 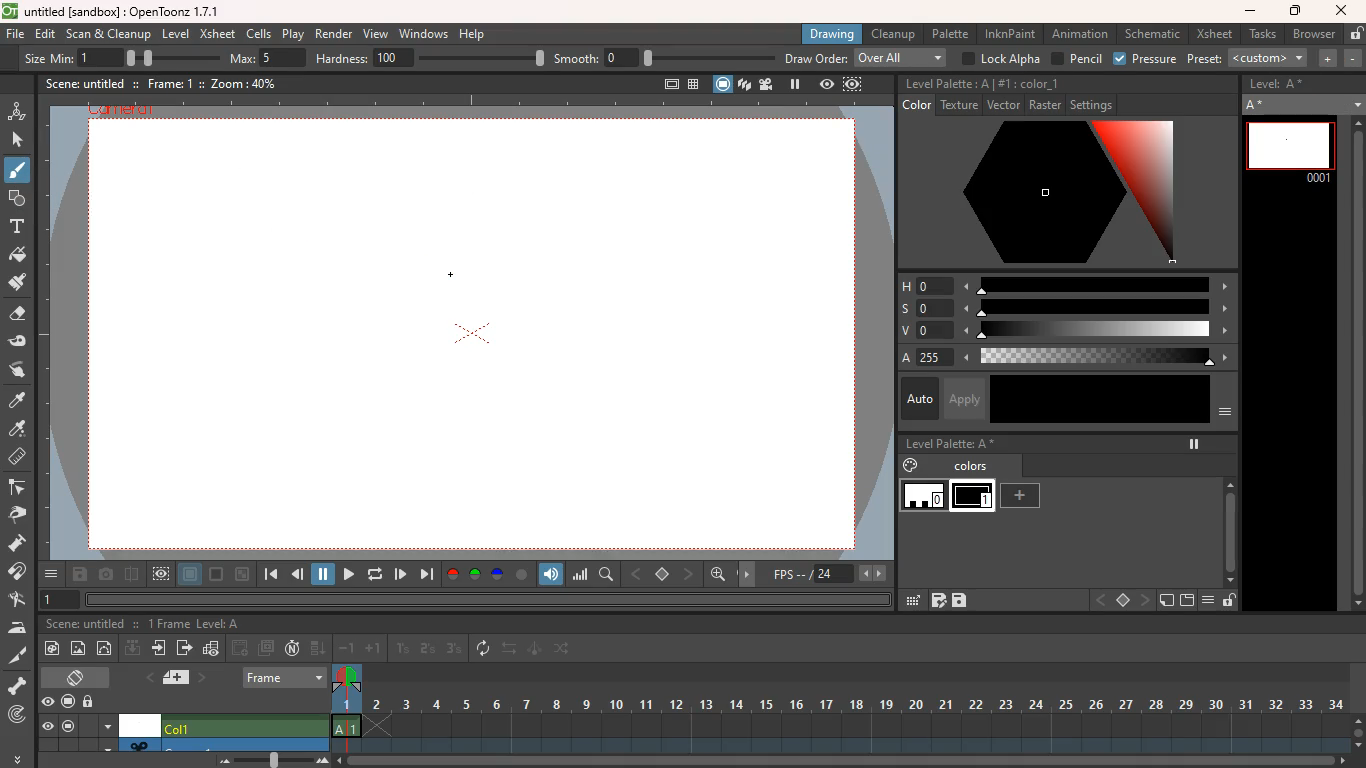 What do you see at coordinates (347, 648) in the screenshot?
I see `-1` at bounding box center [347, 648].